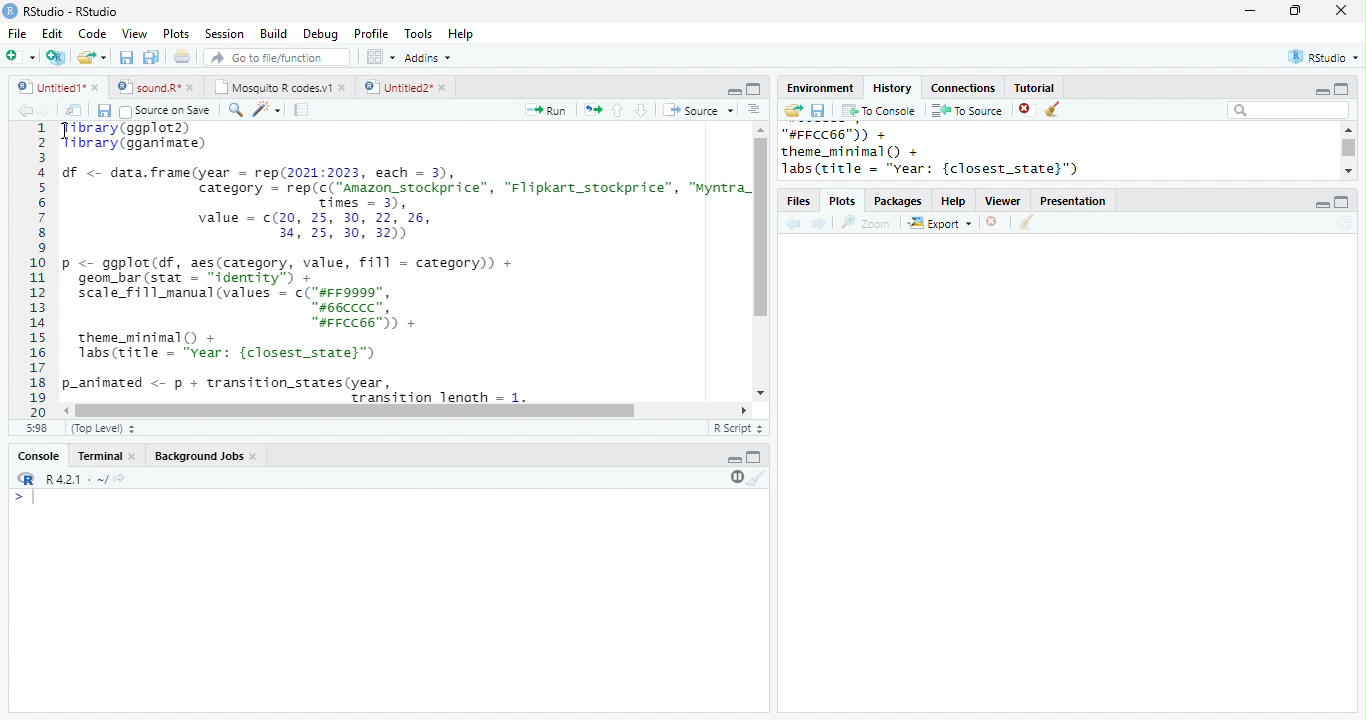 This screenshot has height=720, width=1366. What do you see at coordinates (763, 227) in the screenshot?
I see `scroll bar` at bounding box center [763, 227].